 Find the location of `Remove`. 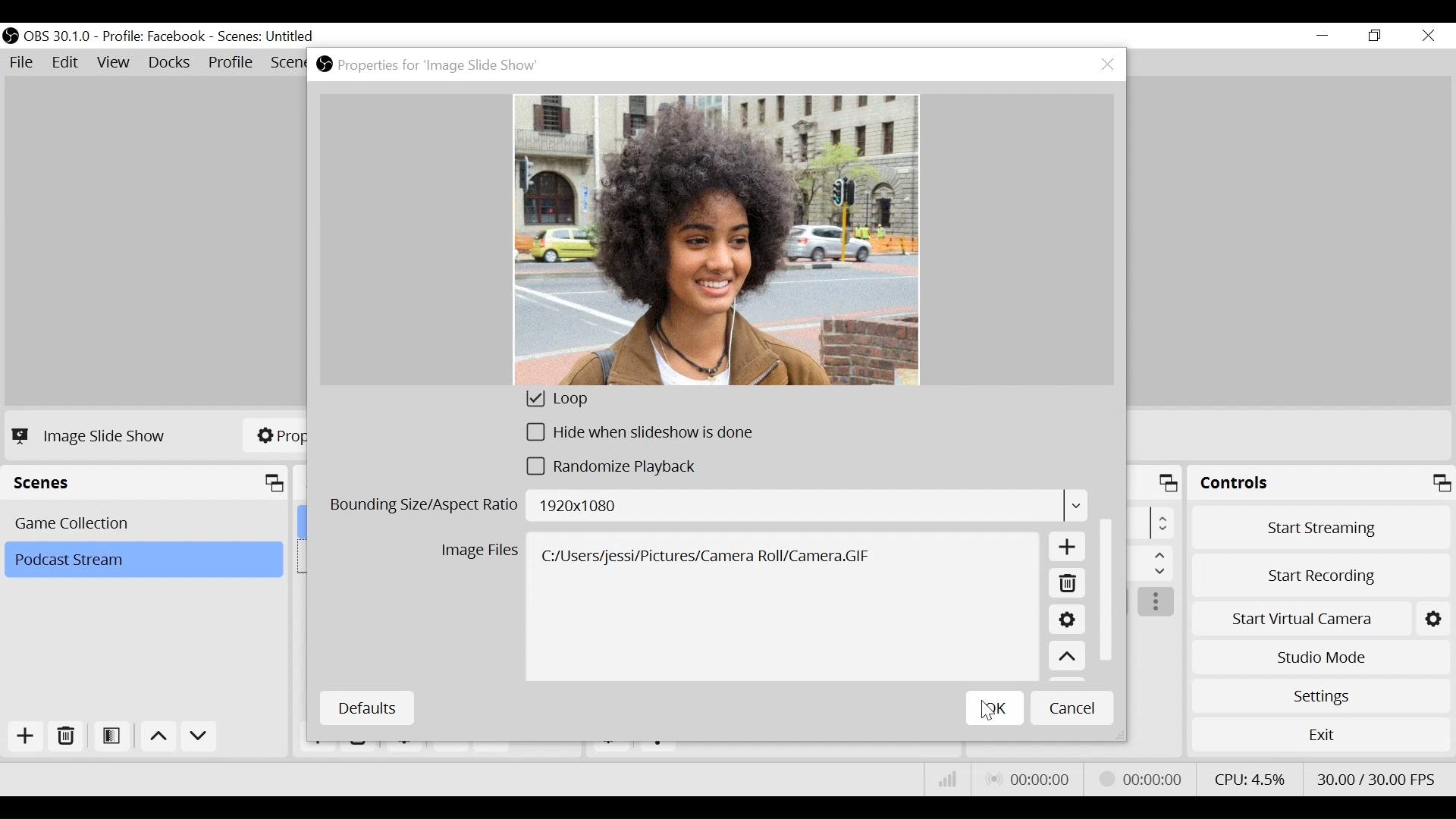

Remove is located at coordinates (1066, 585).